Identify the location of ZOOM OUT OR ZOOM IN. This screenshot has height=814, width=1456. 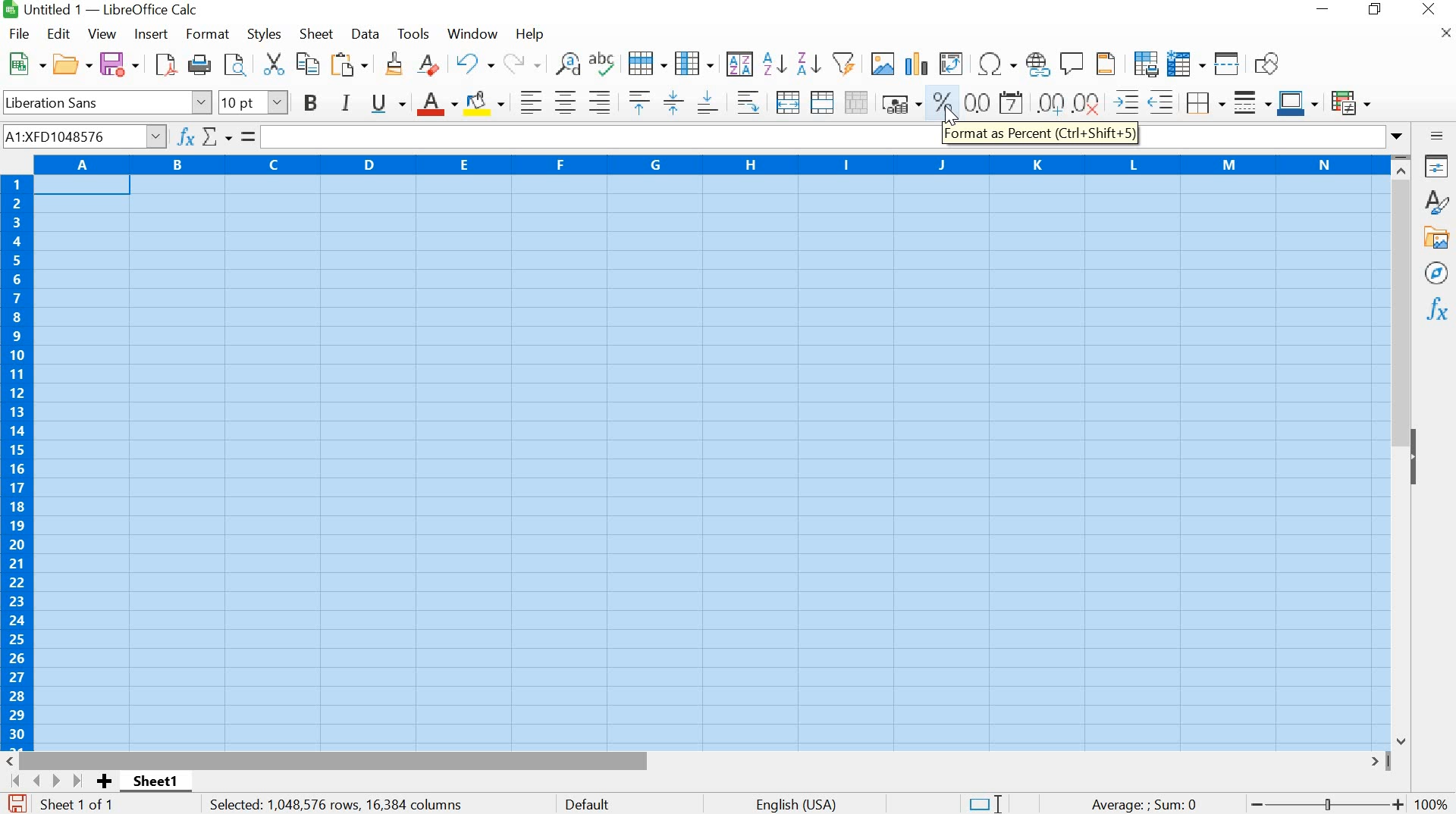
(1329, 803).